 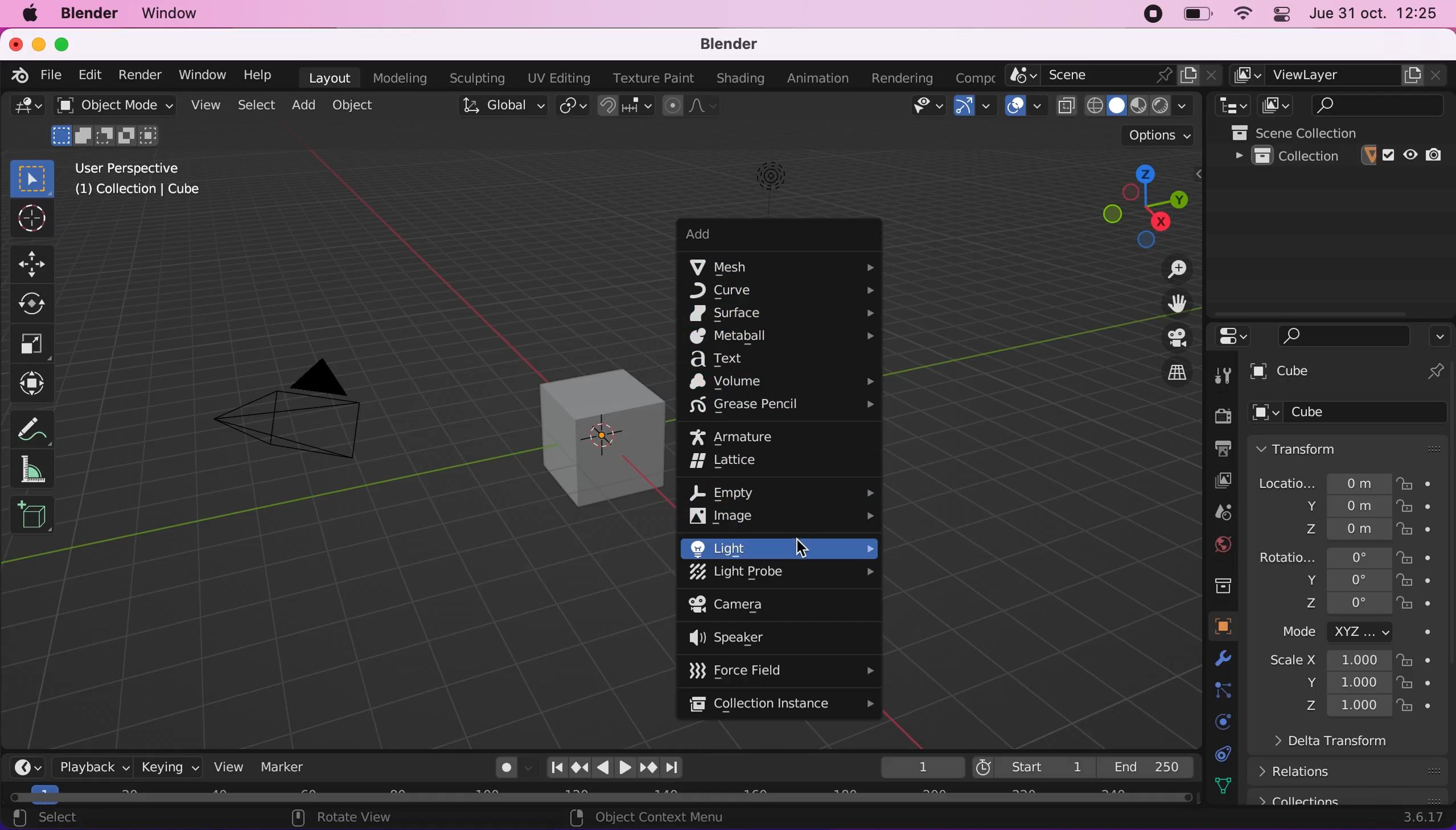 What do you see at coordinates (1344, 580) in the screenshot?
I see `y 0` at bounding box center [1344, 580].